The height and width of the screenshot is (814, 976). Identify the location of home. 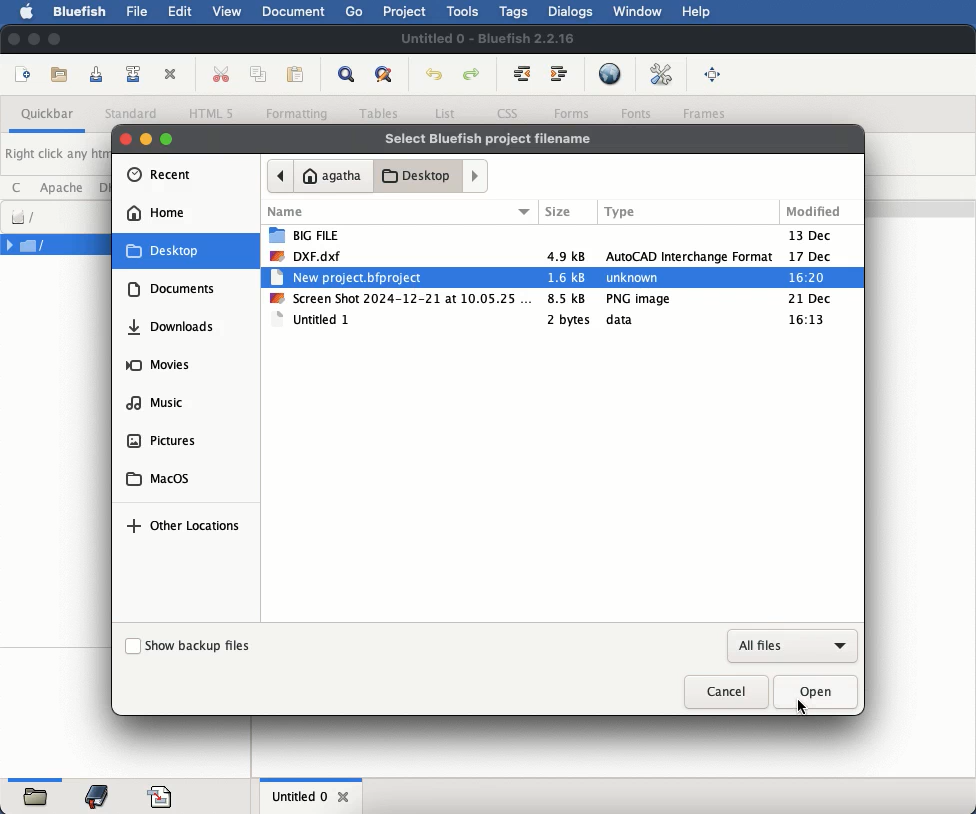
(156, 213).